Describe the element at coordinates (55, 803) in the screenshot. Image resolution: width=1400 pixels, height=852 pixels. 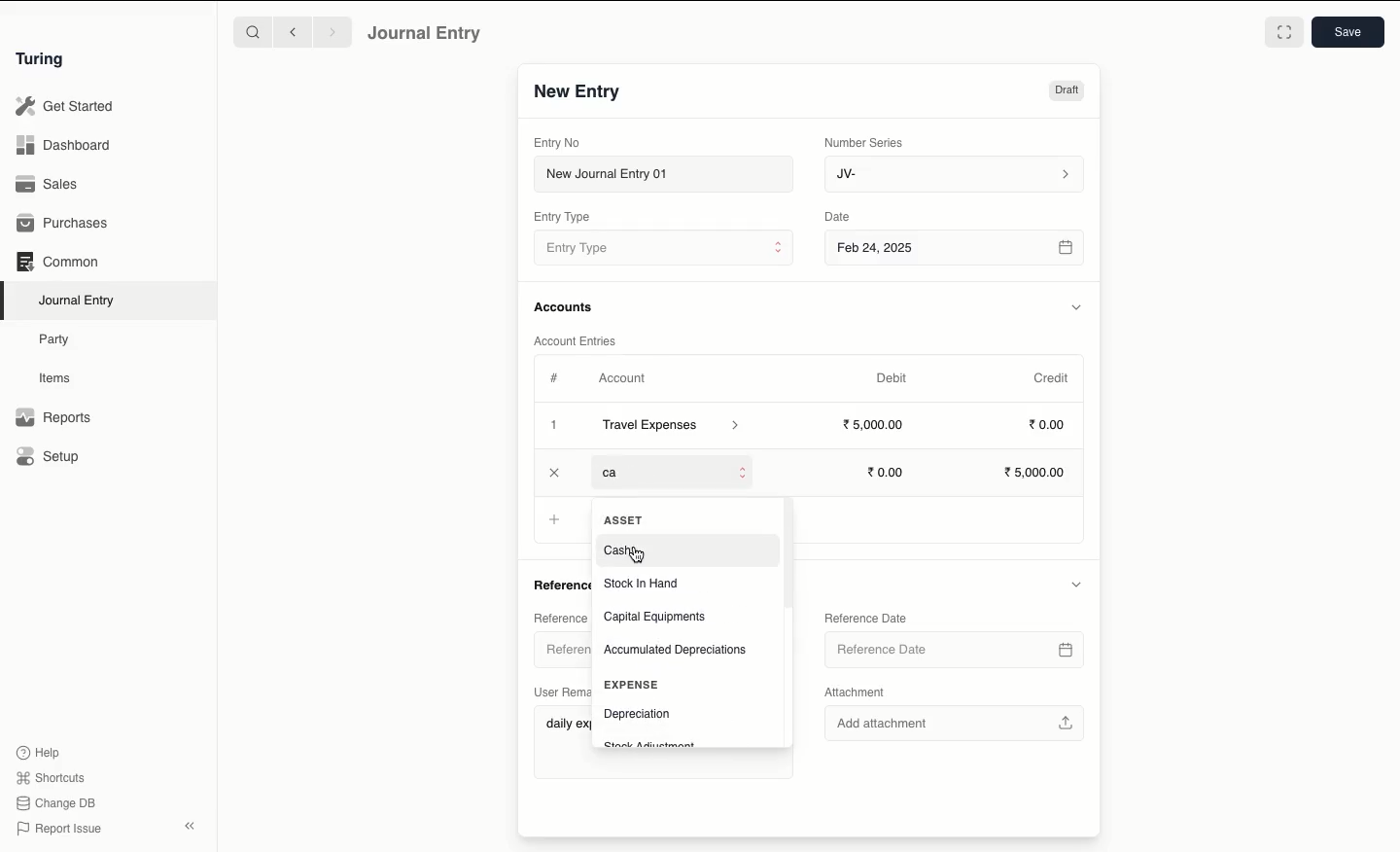
I see `Change DB` at that location.